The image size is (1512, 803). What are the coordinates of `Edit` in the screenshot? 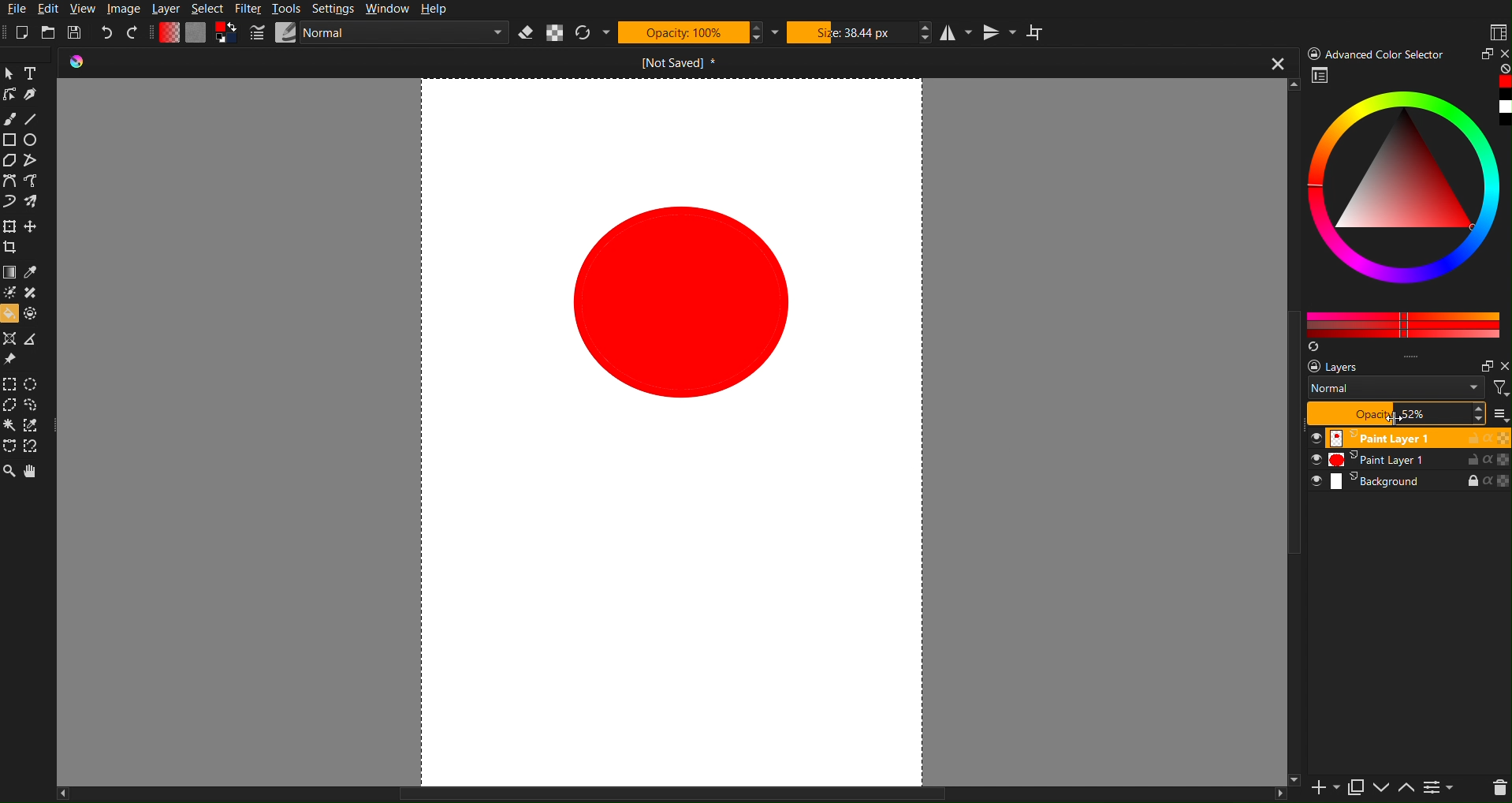 It's located at (50, 10).